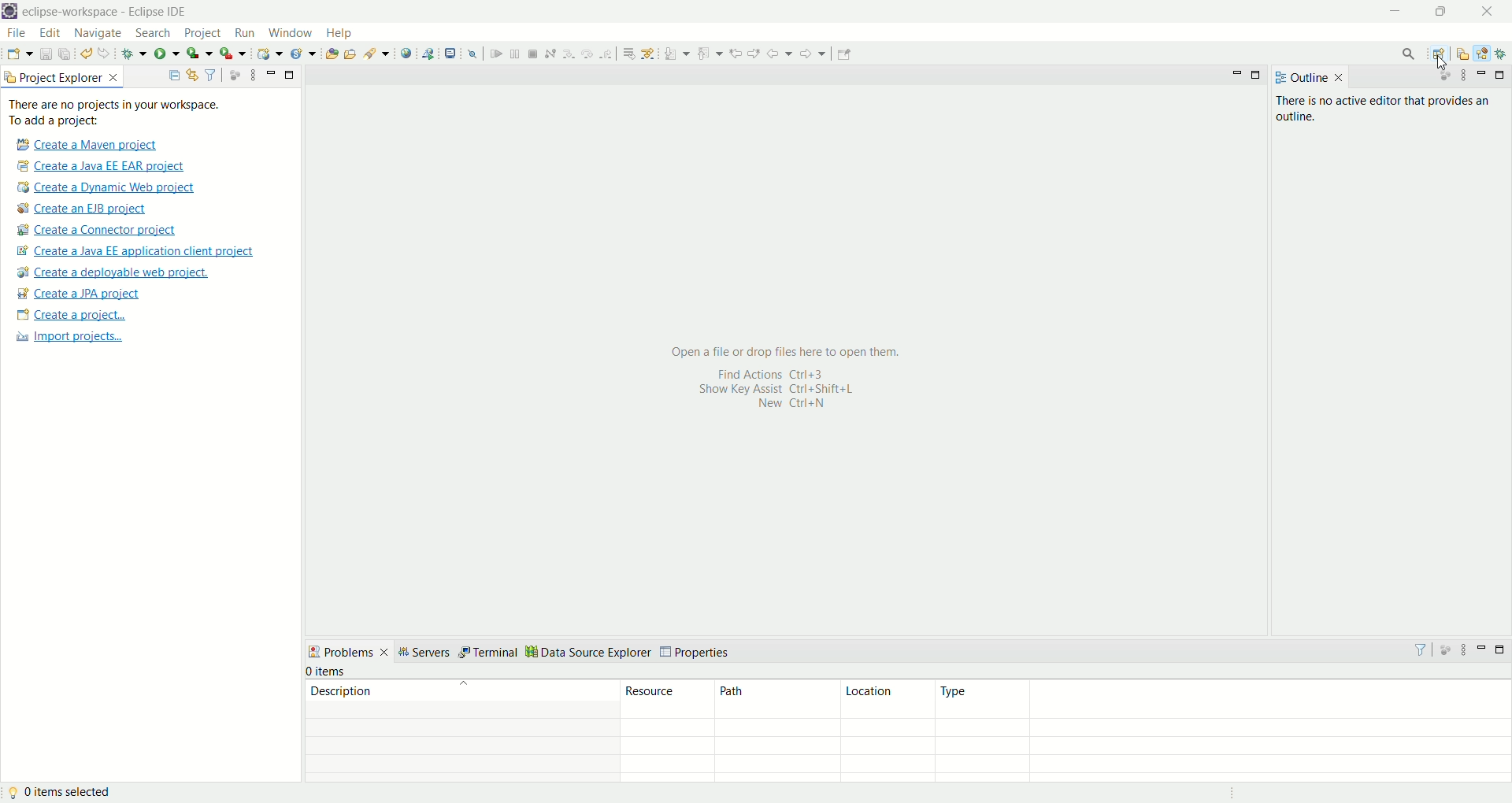 The width and height of the screenshot is (1512, 803). Describe the element at coordinates (65, 54) in the screenshot. I see `save all` at that location.